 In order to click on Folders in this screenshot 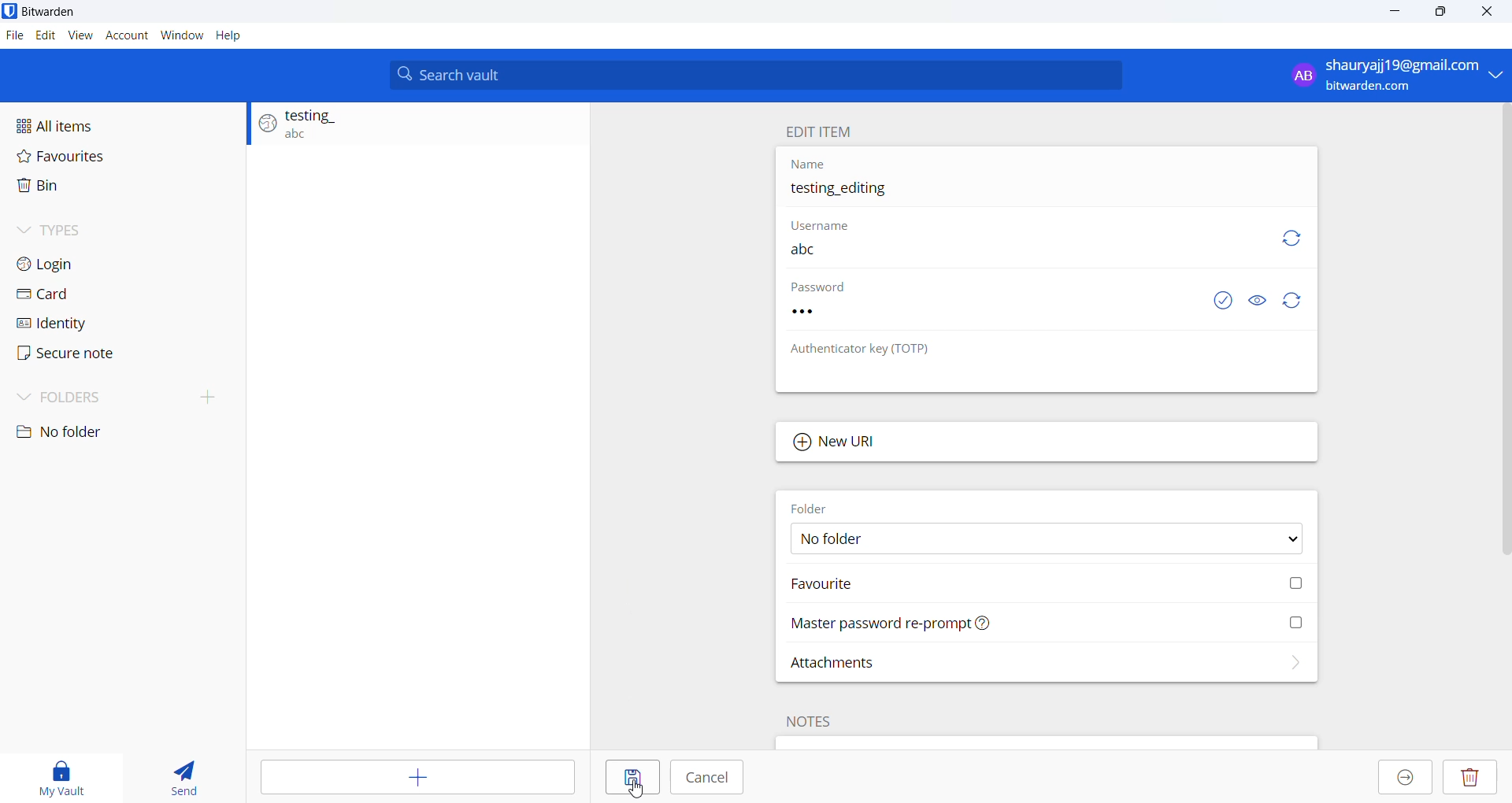, I will do `click(84, 398)`.